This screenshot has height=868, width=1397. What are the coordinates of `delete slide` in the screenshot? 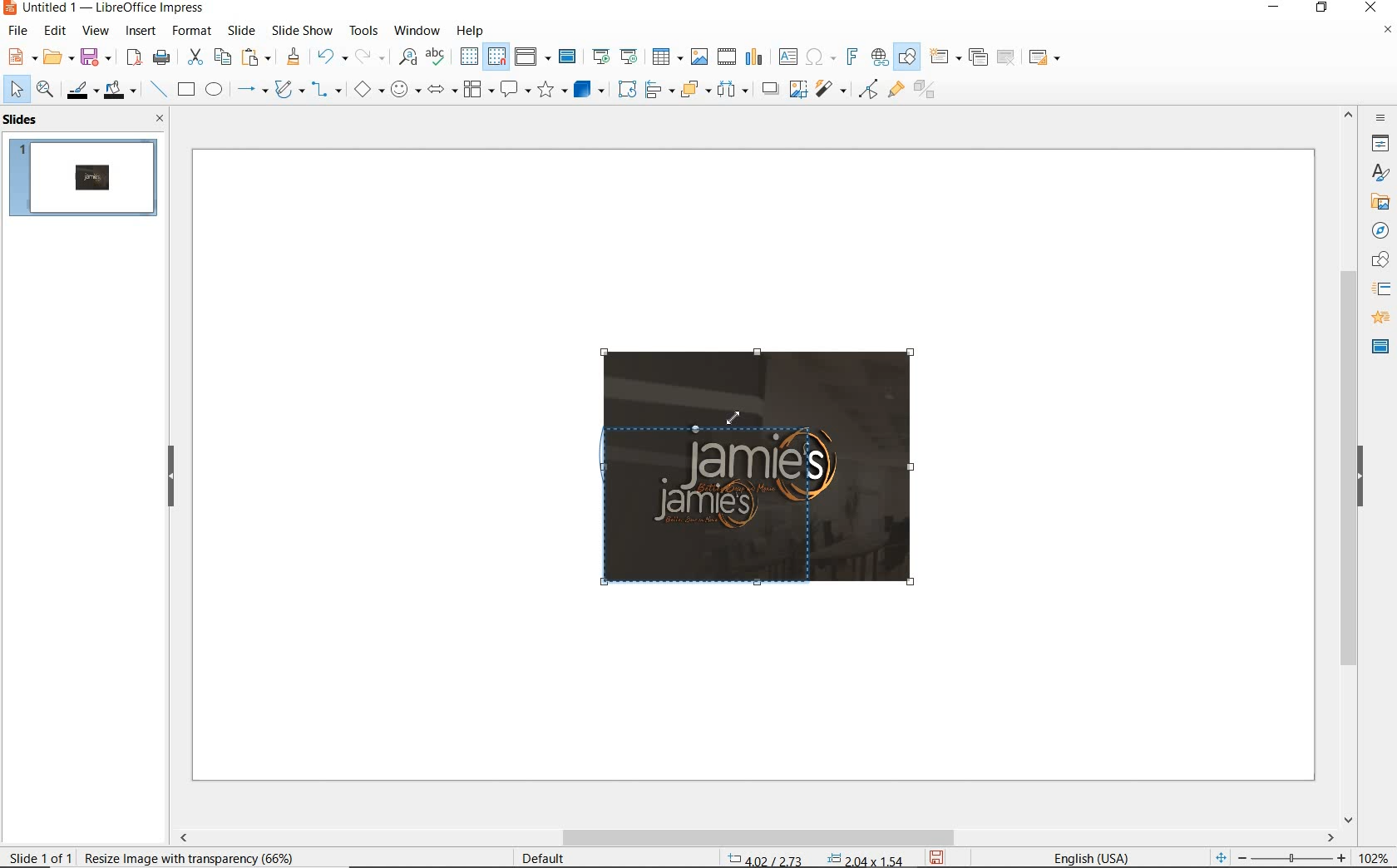 It's located at (1006, 58).